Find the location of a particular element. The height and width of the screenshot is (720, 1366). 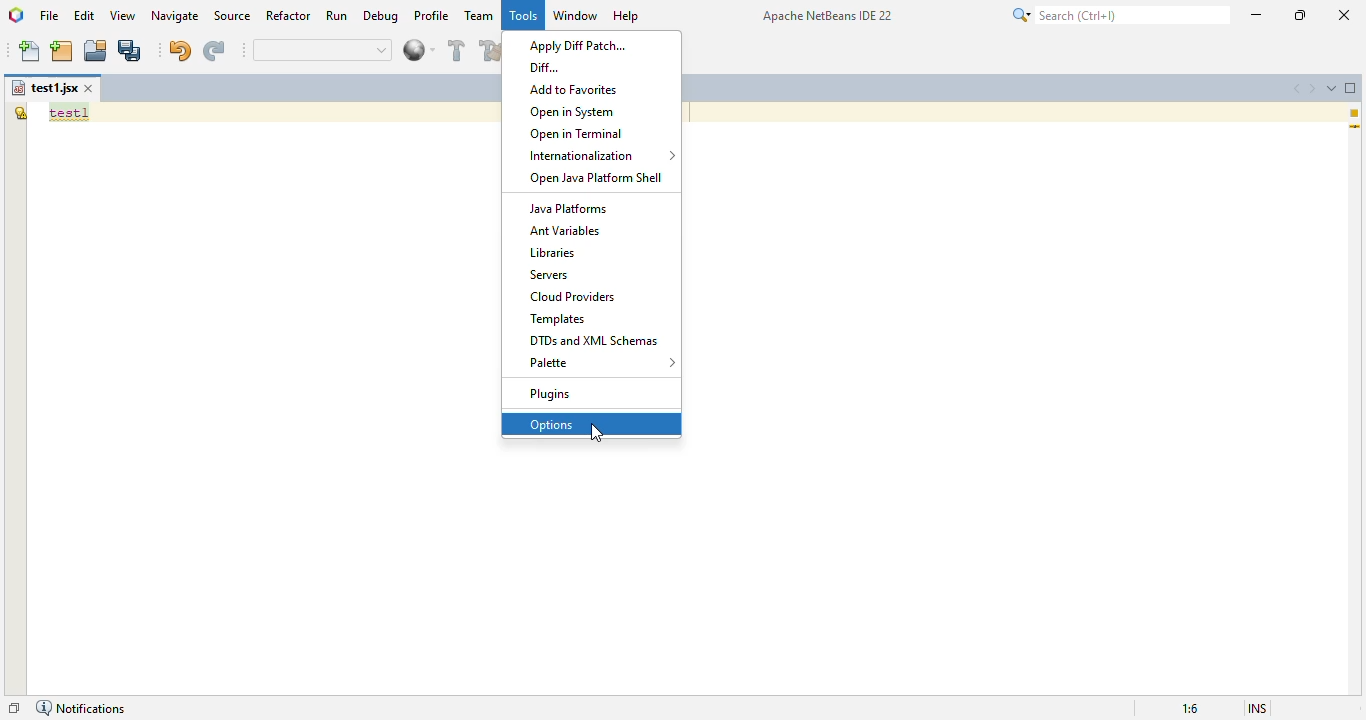

minimize is located at coordinates (1257, 14).